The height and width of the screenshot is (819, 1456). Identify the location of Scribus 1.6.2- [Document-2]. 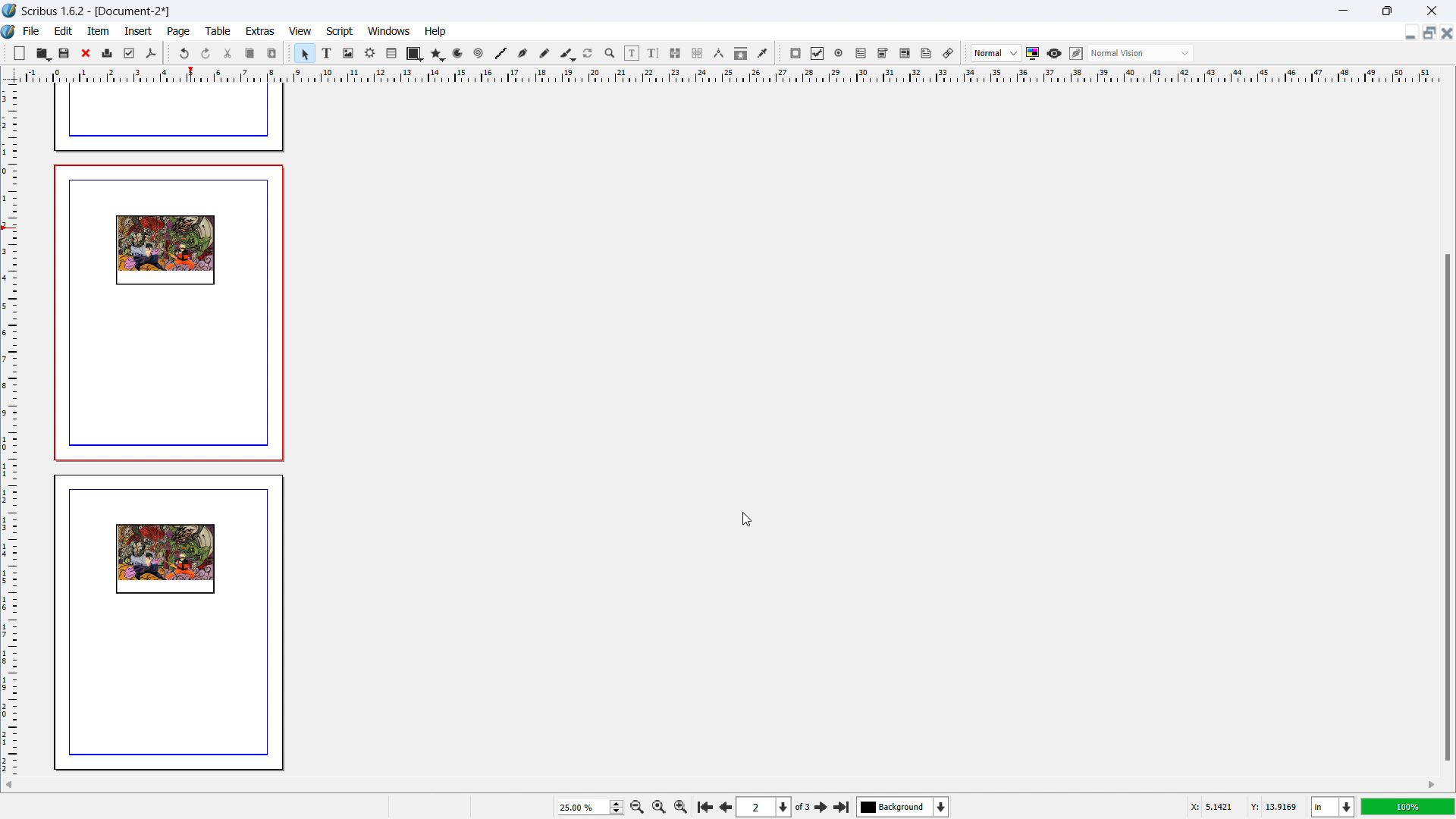
(98, 11).